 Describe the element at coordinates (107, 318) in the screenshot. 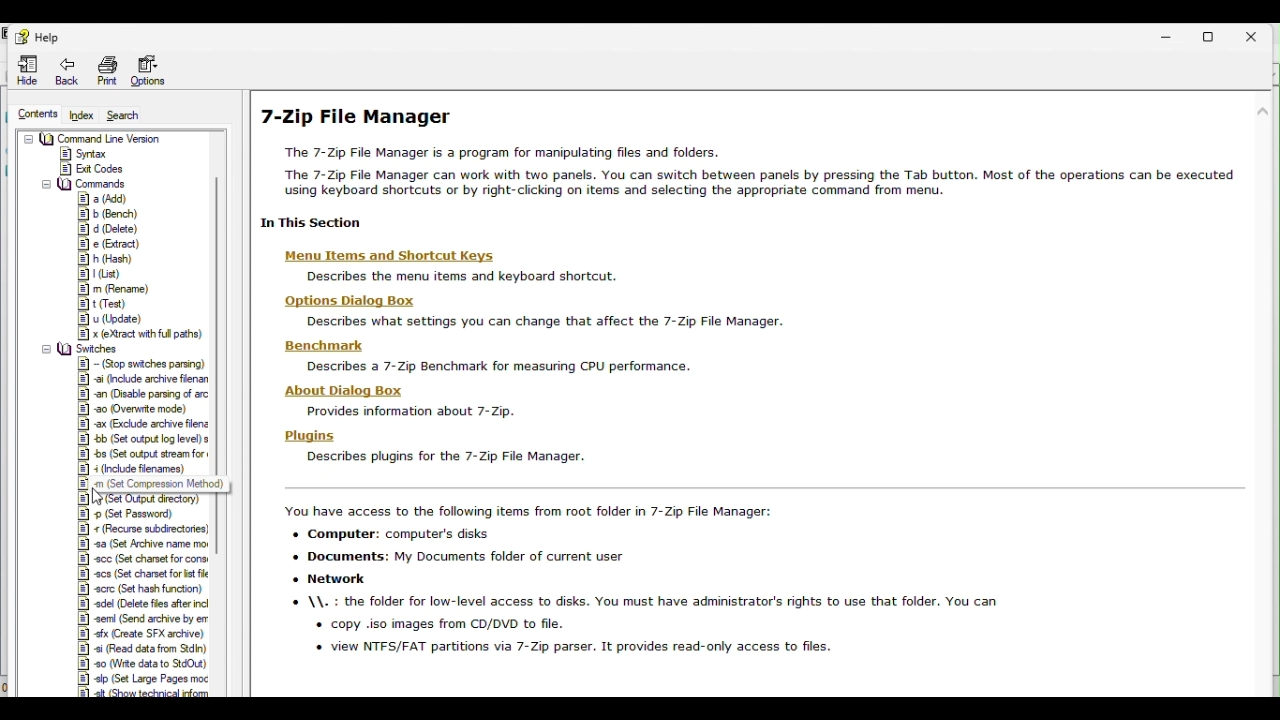

I see `update` at that location.